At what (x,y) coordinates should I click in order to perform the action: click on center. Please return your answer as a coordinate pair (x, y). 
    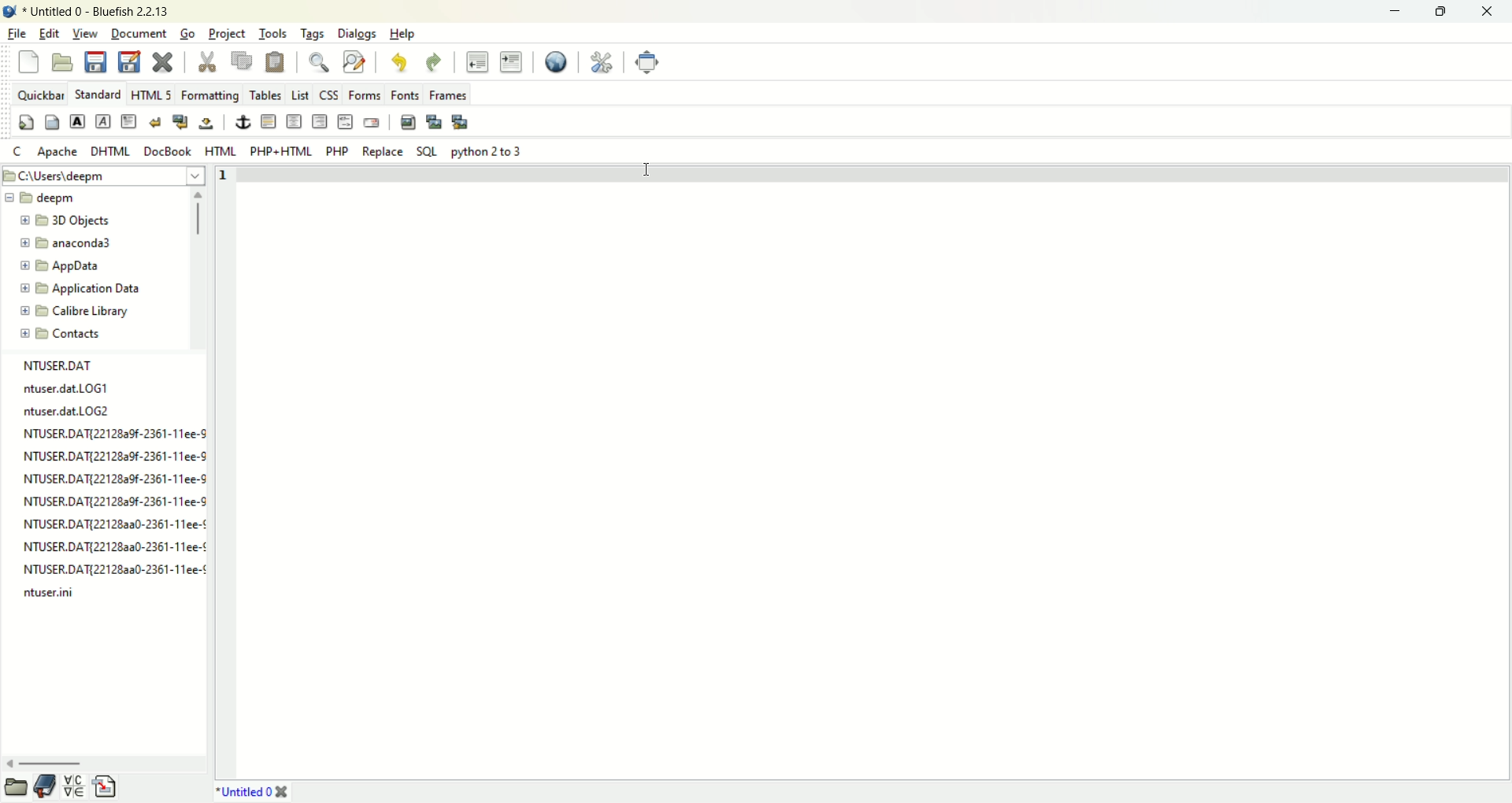
    Looking at the image, I should click on (294, 121).